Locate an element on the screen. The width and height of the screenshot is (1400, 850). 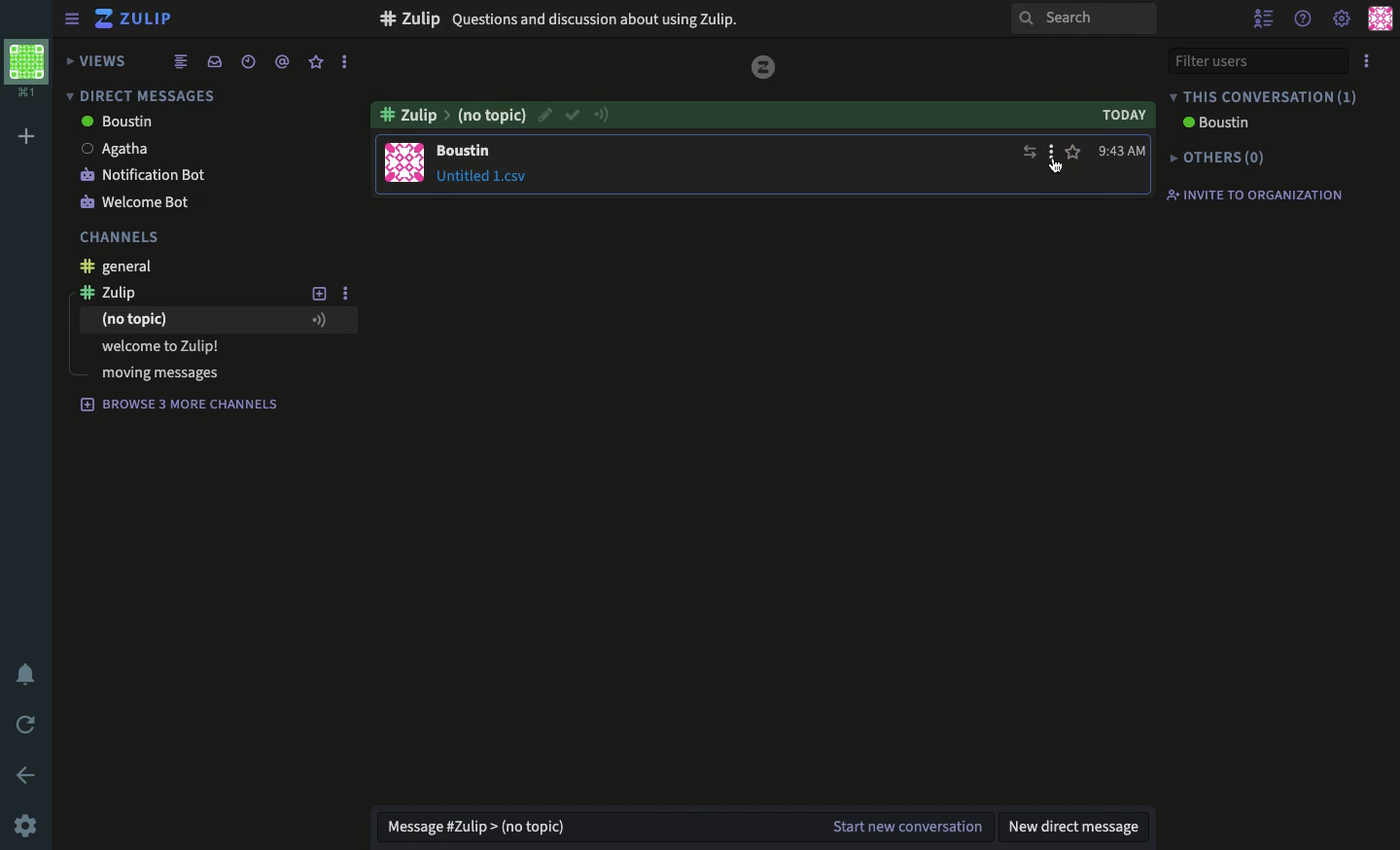
settings  is located at coordinates (1342, 20).